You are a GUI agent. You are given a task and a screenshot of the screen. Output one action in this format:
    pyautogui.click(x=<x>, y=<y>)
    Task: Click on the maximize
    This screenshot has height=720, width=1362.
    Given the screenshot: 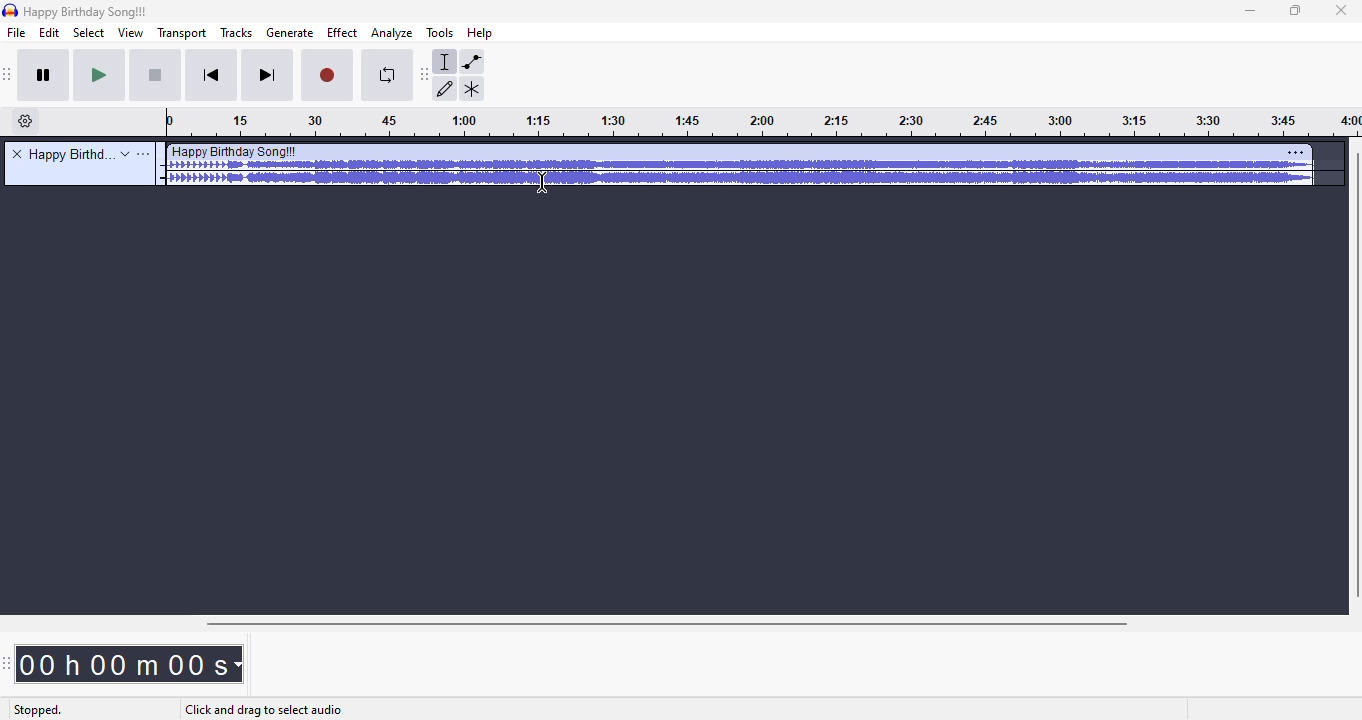 What is the action you would take?
    pyautogui.click(x=1296, y=11)
    